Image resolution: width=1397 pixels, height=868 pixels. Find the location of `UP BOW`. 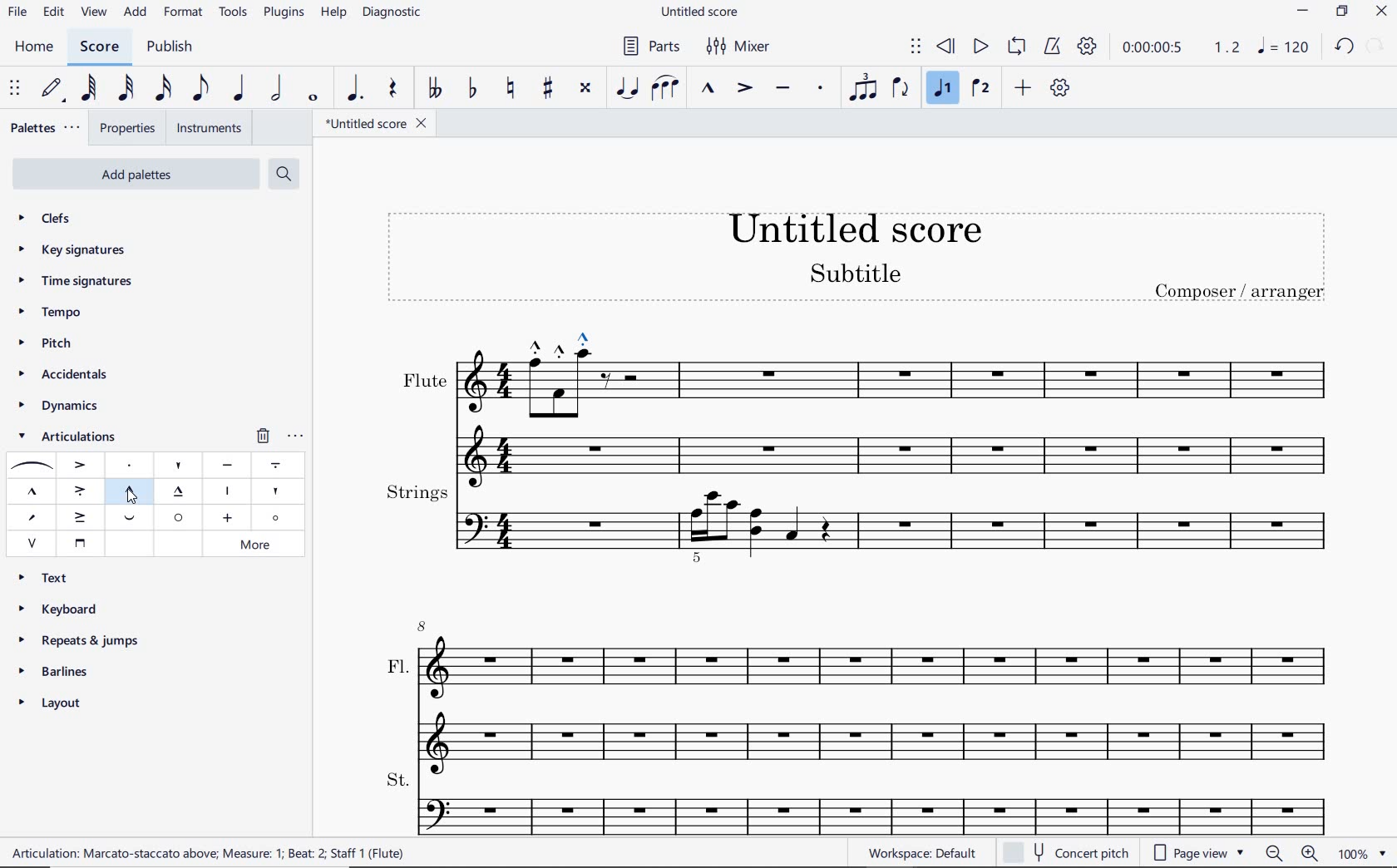

UP BOW is located at coordinates (32, 542).